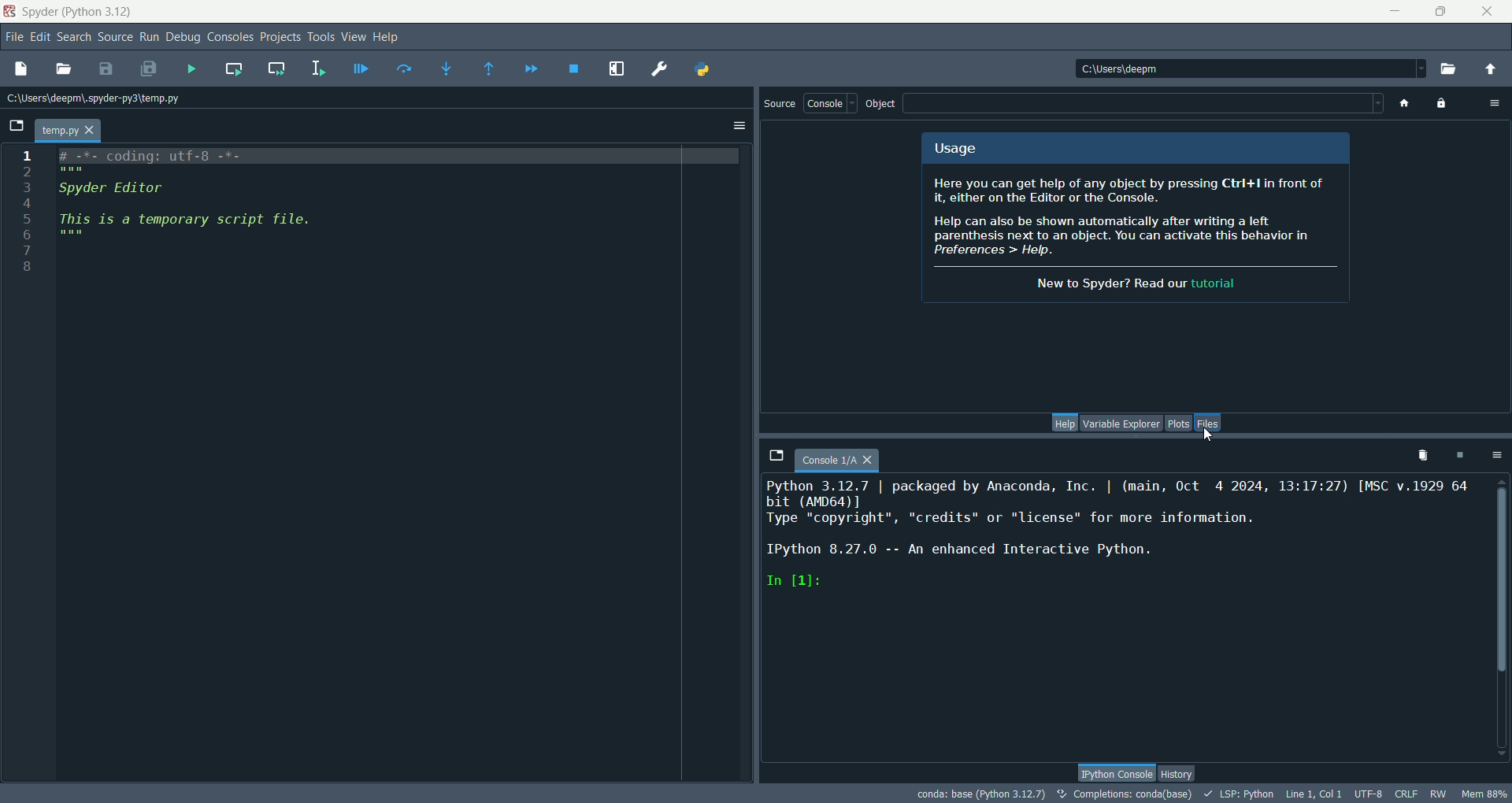  What do you see at coordinates (232, 39) in the screenshot?
I see `consoles` at bounding box center [232, 39].